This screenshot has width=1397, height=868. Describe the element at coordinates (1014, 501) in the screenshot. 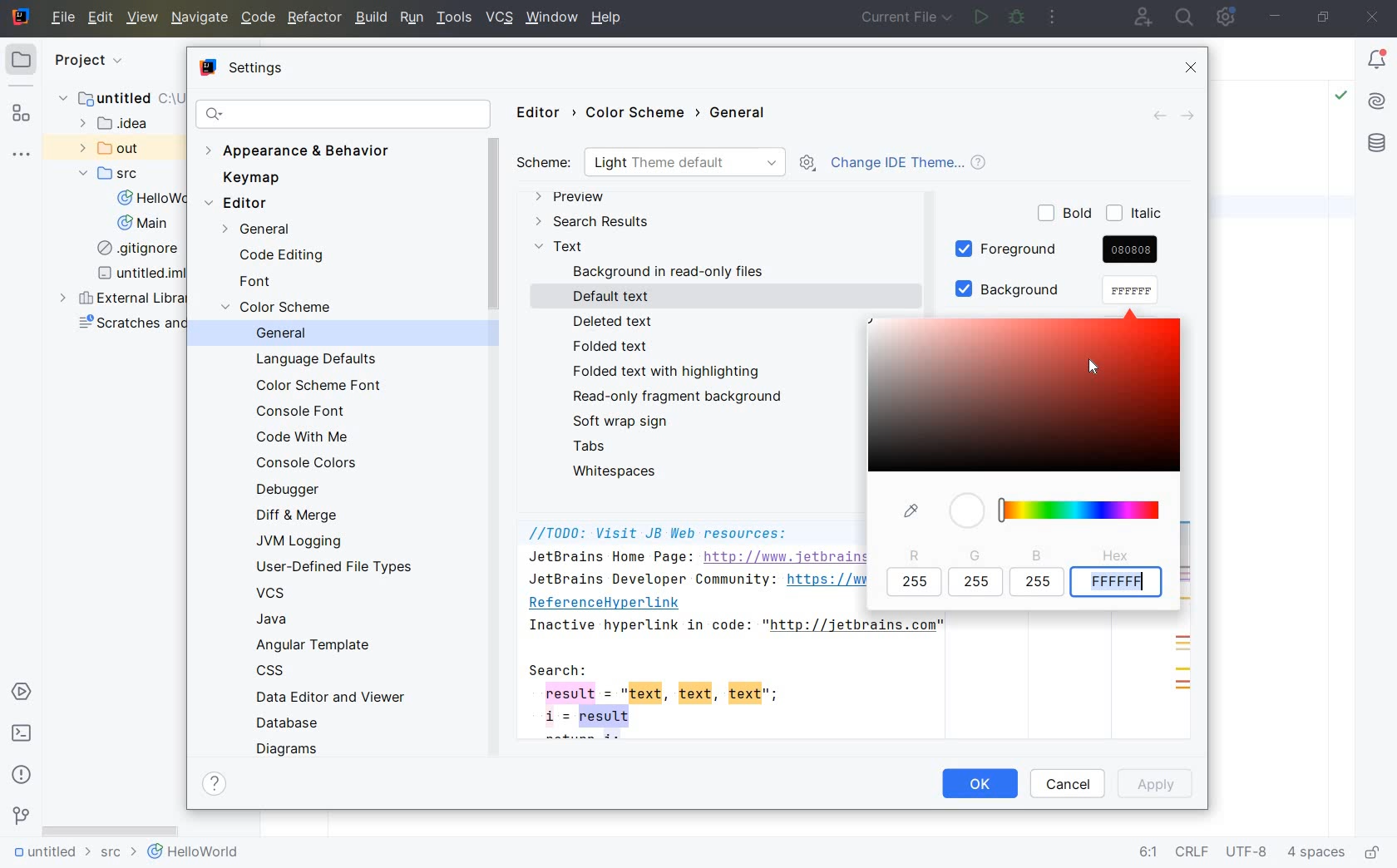

I see `COLOR PIGMENTS` at that location.